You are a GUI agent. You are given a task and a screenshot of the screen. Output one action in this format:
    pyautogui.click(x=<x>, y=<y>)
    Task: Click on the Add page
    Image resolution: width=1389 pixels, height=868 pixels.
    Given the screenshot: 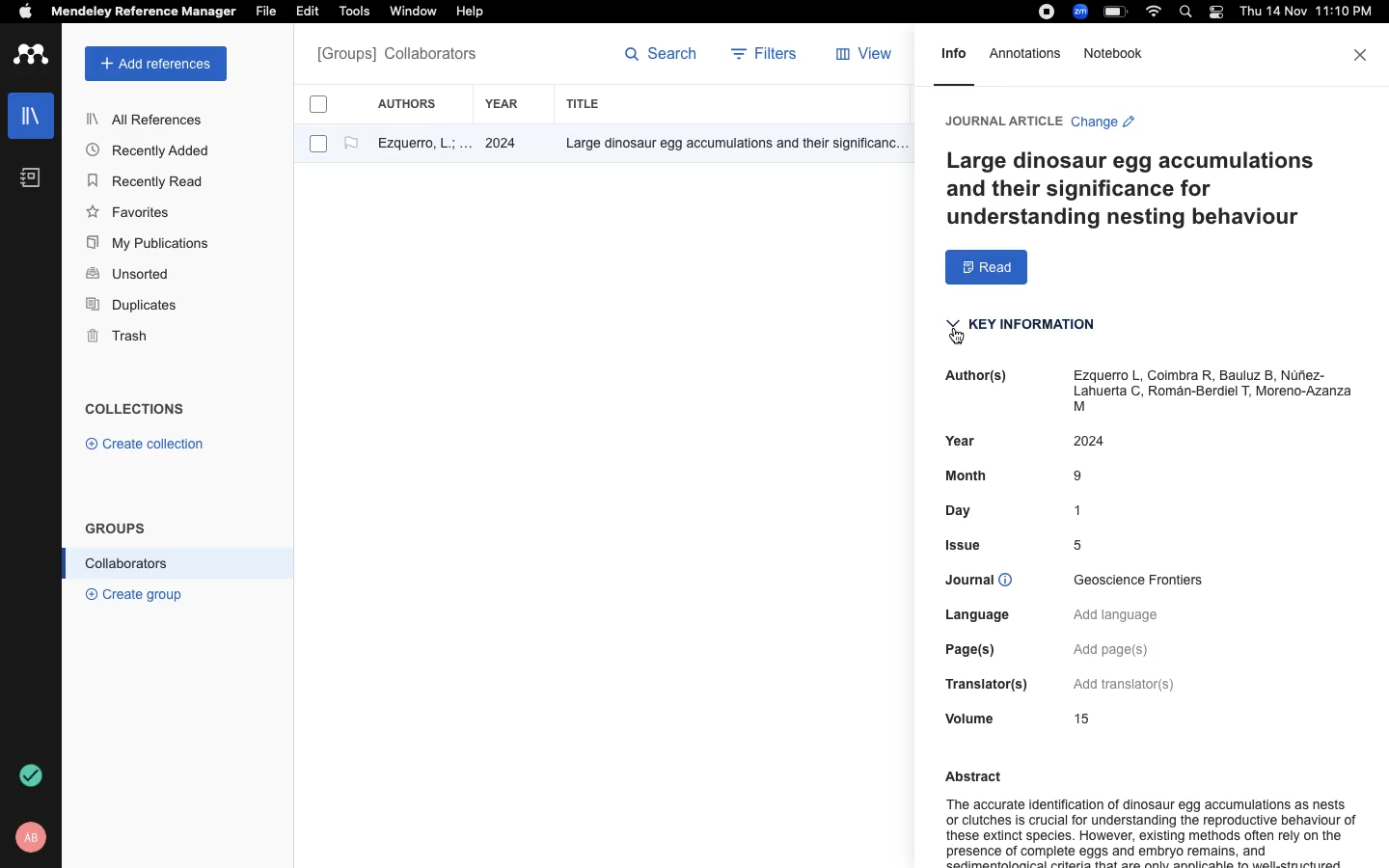 What is the action you would take?
    pyautogui.click(x=1119, y=648)
    